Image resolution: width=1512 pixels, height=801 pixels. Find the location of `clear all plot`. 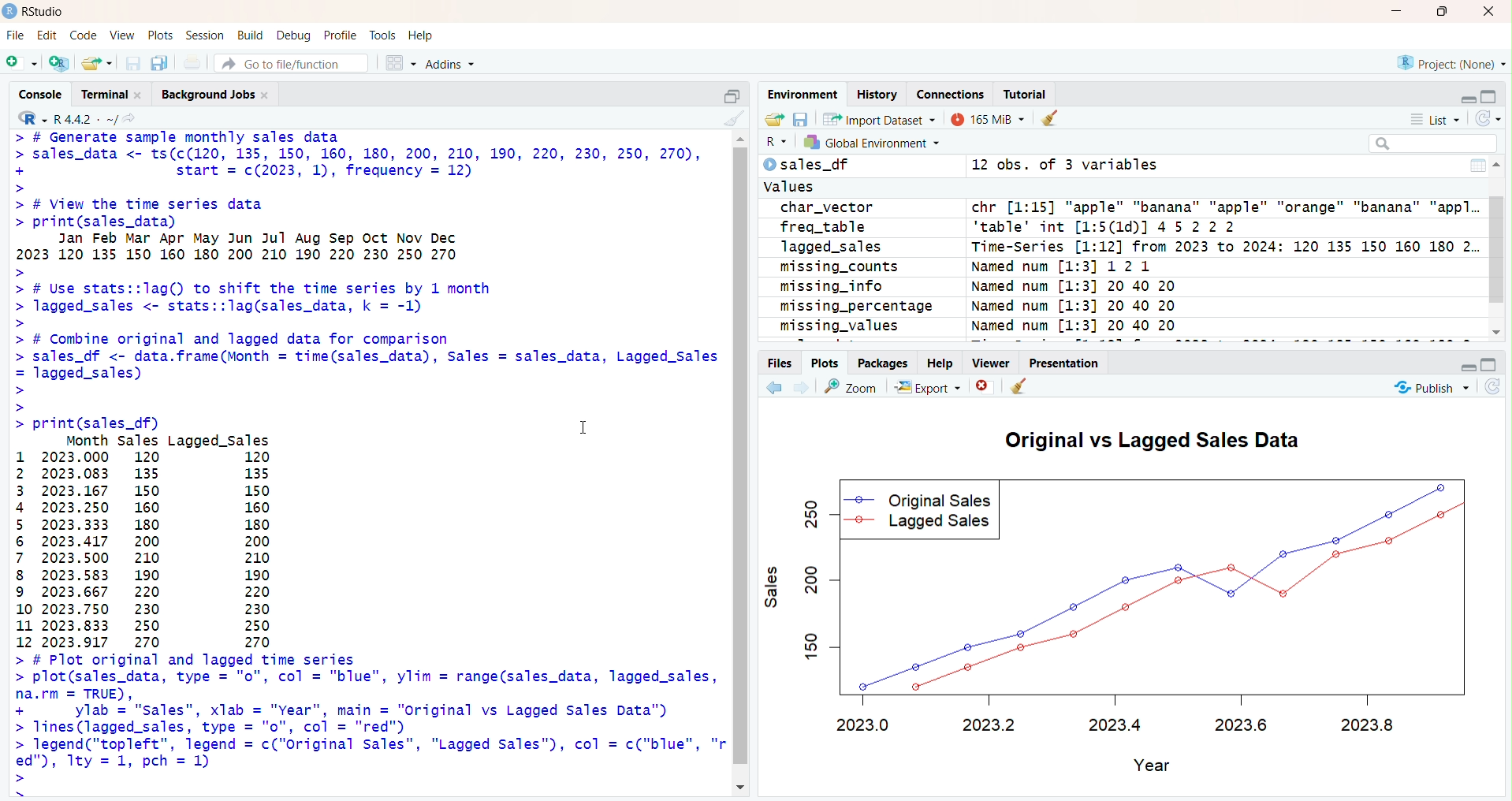

clear all plot is located at coordinates (1021, 388).